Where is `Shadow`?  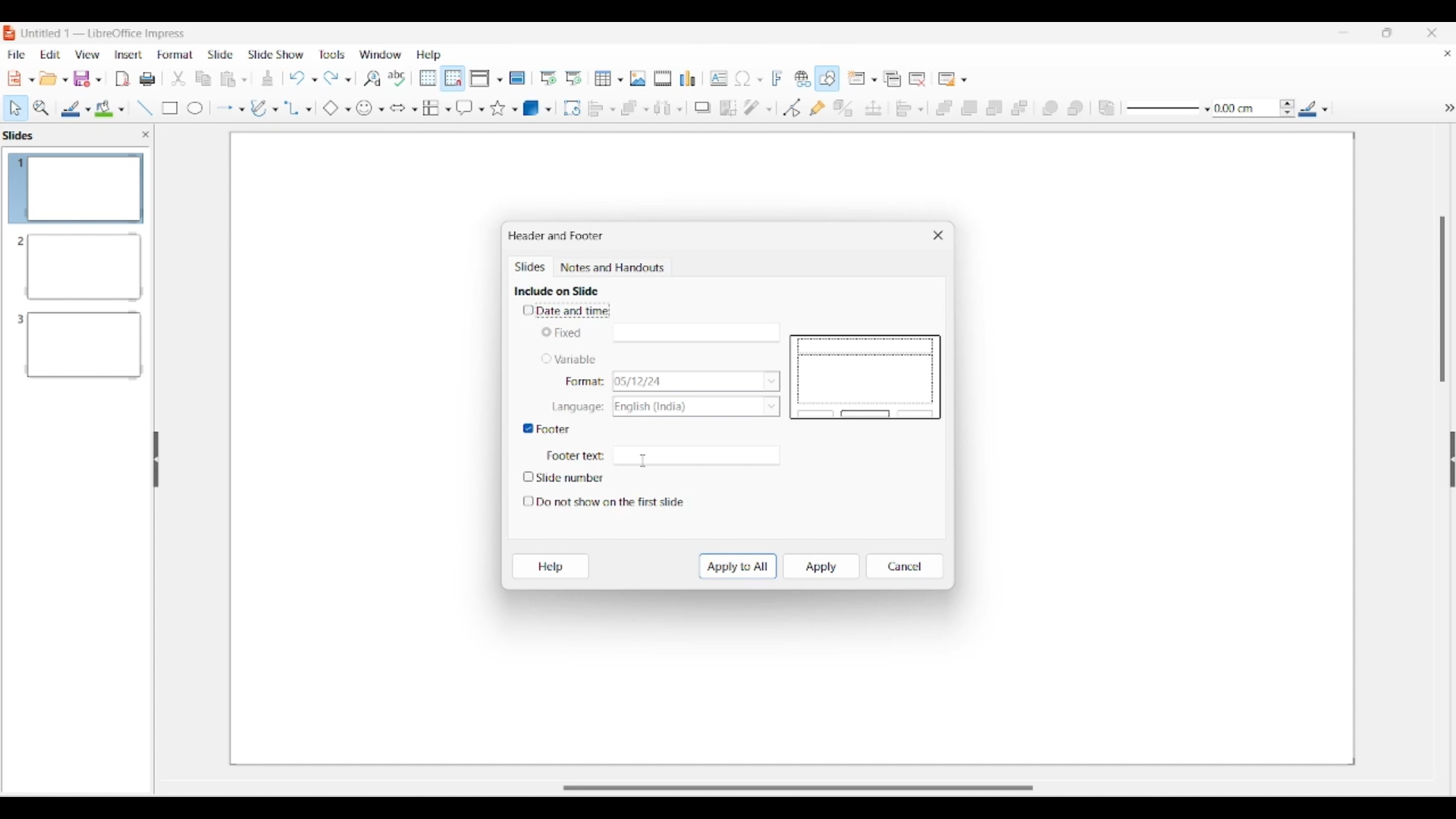 Shadow is located at coordinates (702, 108).